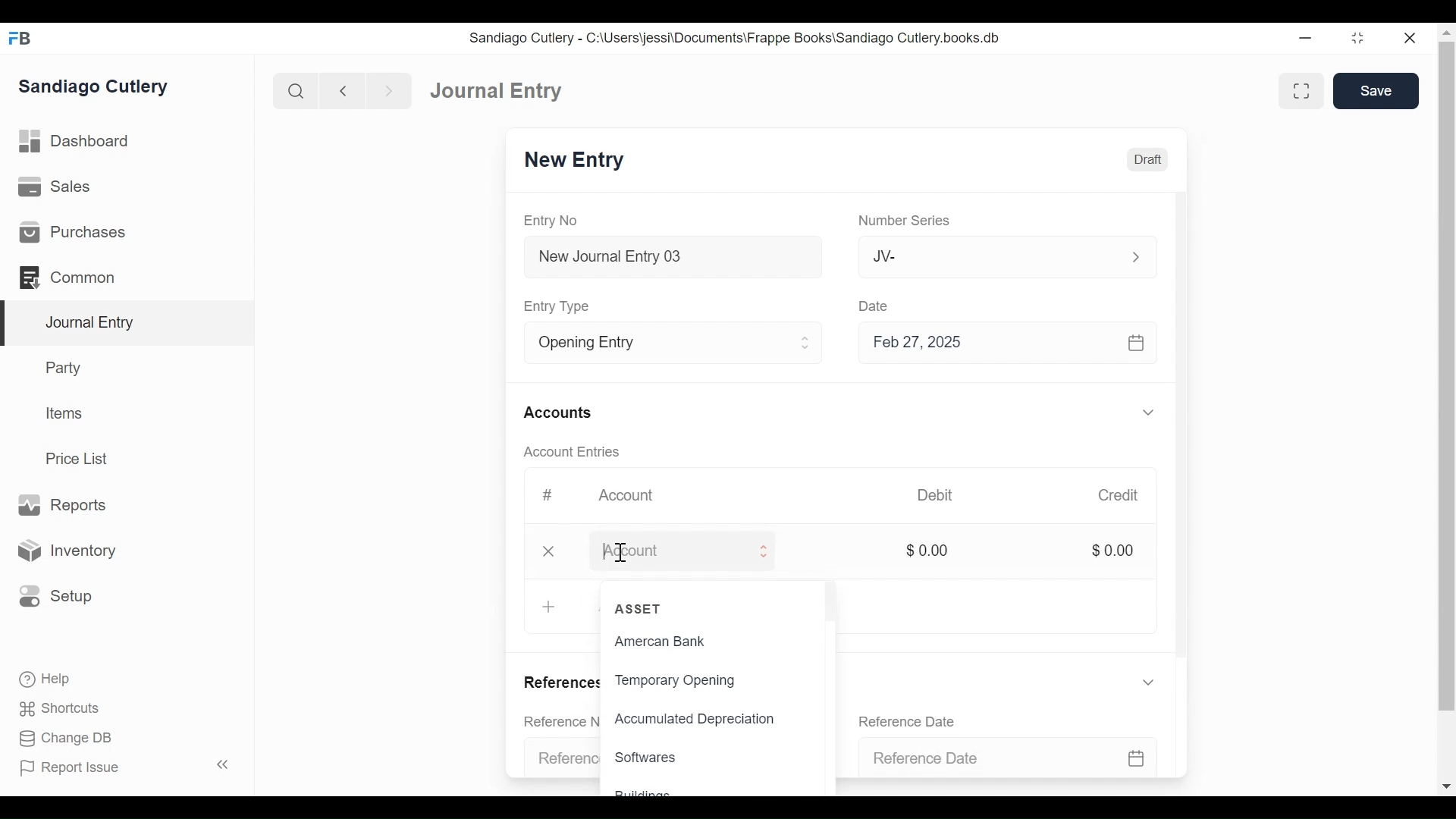 This screenshot has height=819, width=1456. What do you see at coordinates (734, 37) in the screenshot?
I see `Sandiago Cutlery - C:\Users\jessi\Documents\Frappe Books\Sandiago Cutlery.books.db` at bounding box center [734, 37].